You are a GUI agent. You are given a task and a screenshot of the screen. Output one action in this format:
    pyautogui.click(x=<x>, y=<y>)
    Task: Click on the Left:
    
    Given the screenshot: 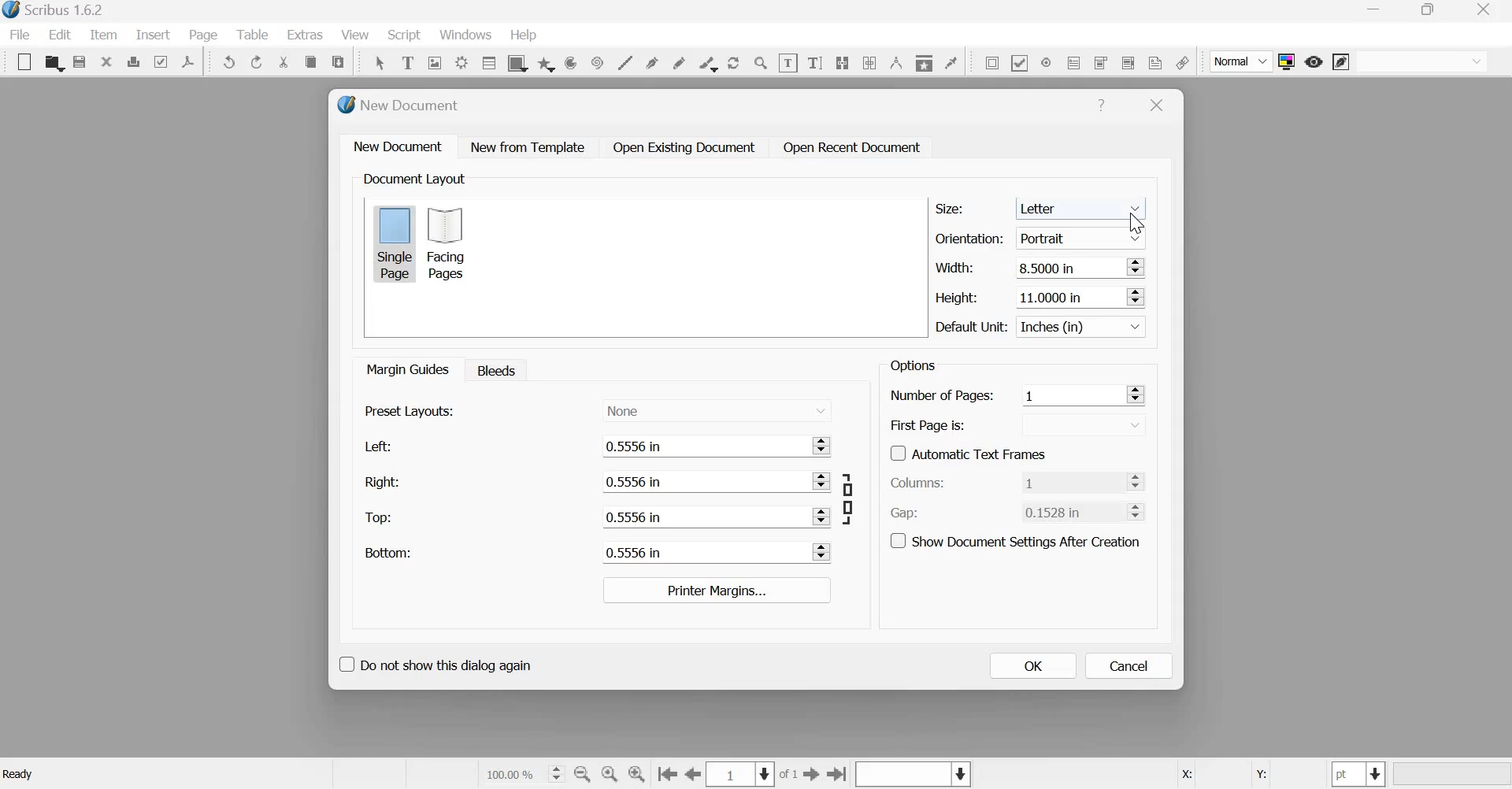 What is the action you would take?
    pyautogui.click(x=376, y=446)
    